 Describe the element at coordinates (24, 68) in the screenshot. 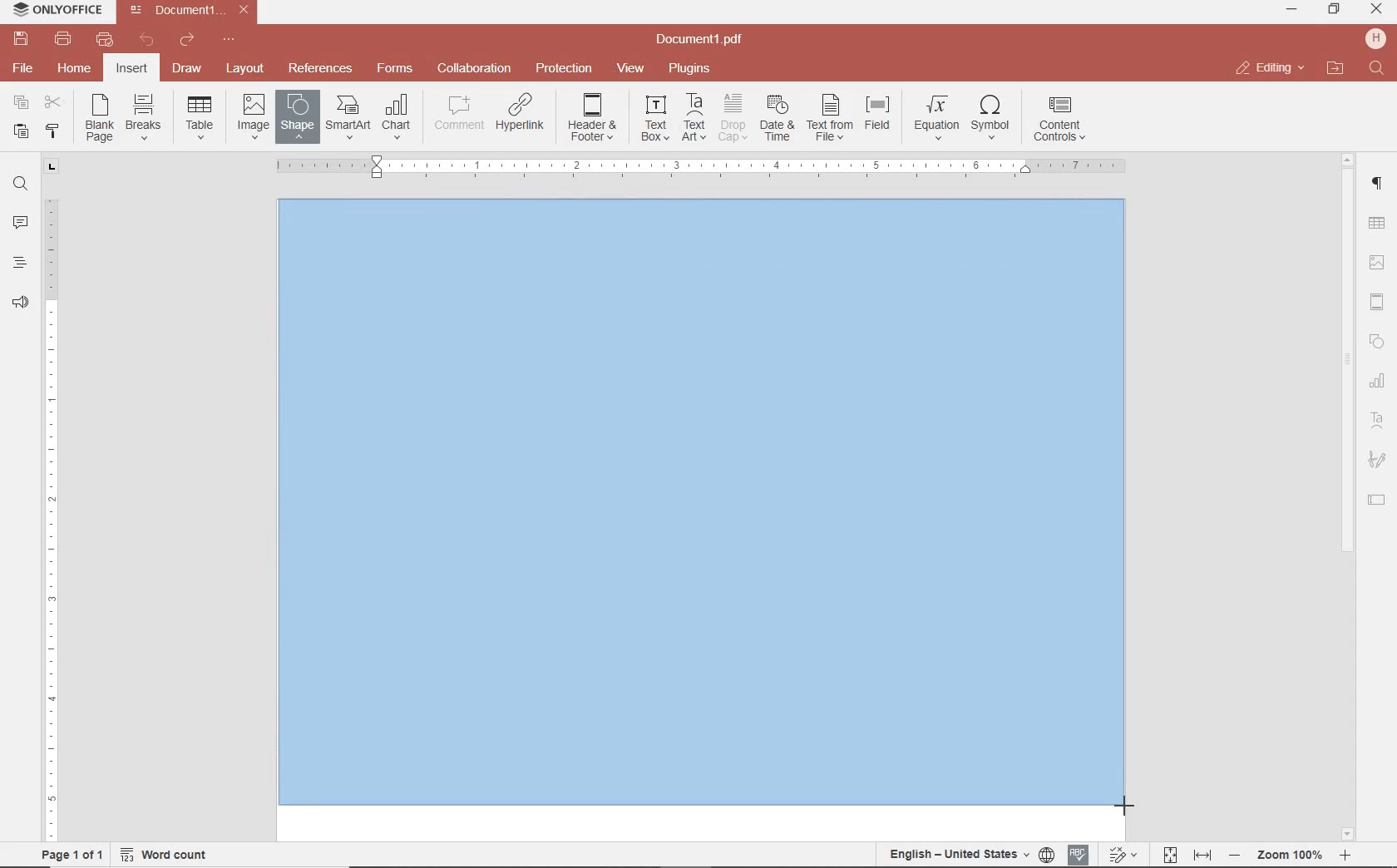

I see `file` at that location.